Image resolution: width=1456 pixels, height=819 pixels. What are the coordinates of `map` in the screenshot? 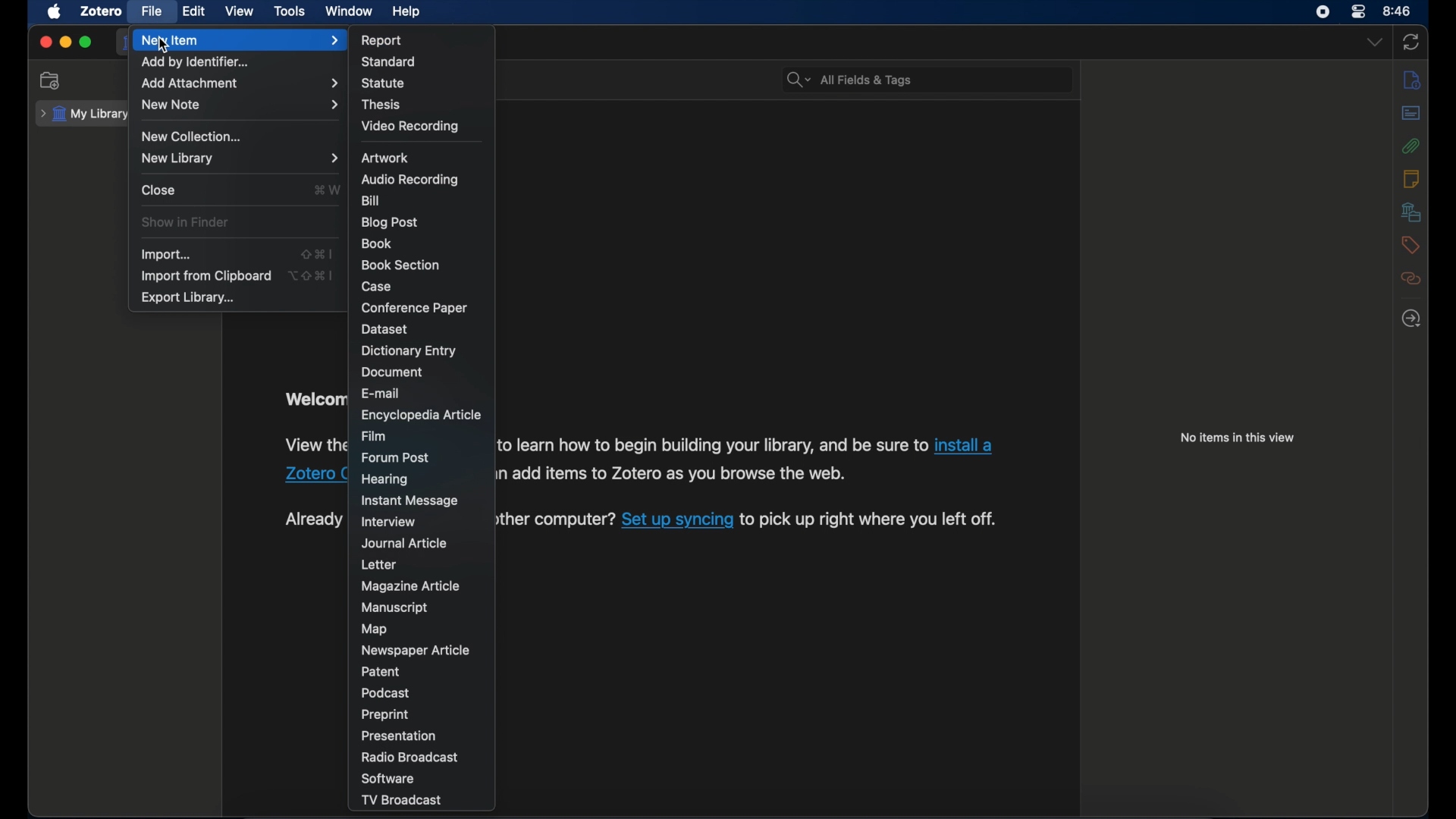 It's located at (375, 629).